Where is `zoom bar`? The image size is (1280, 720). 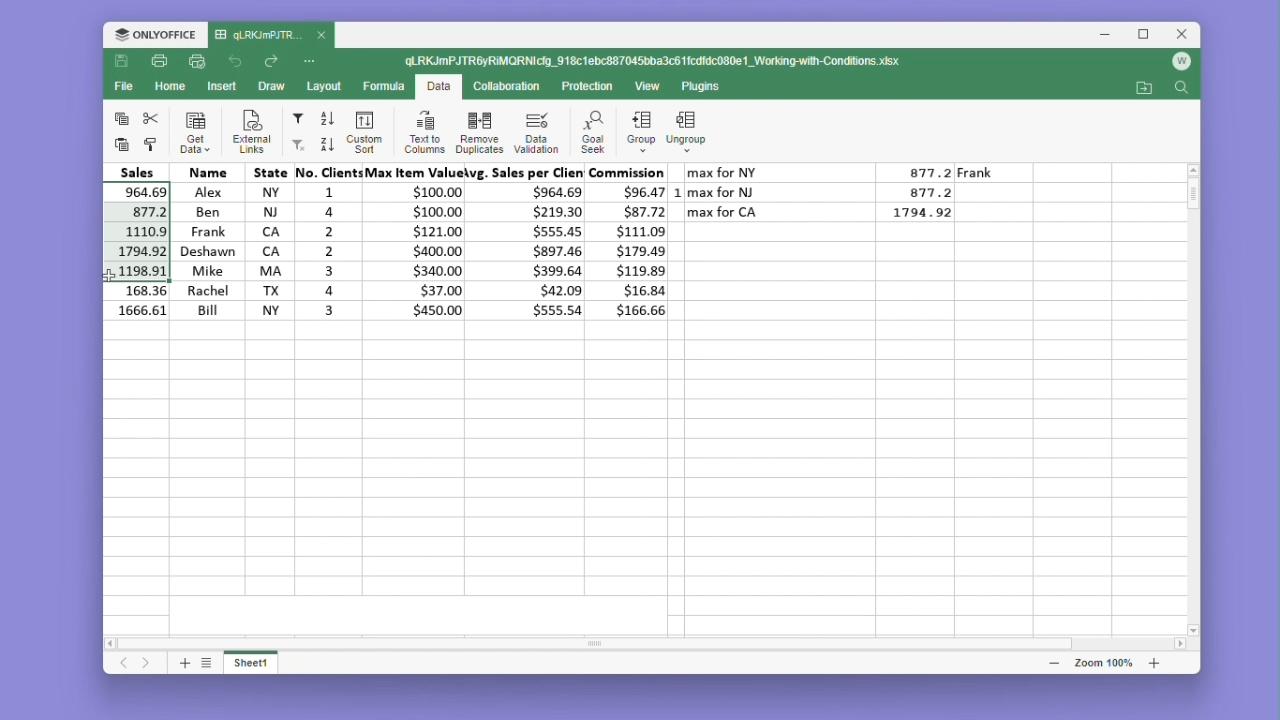
zoom bar is located at coordinates (1102, 662).